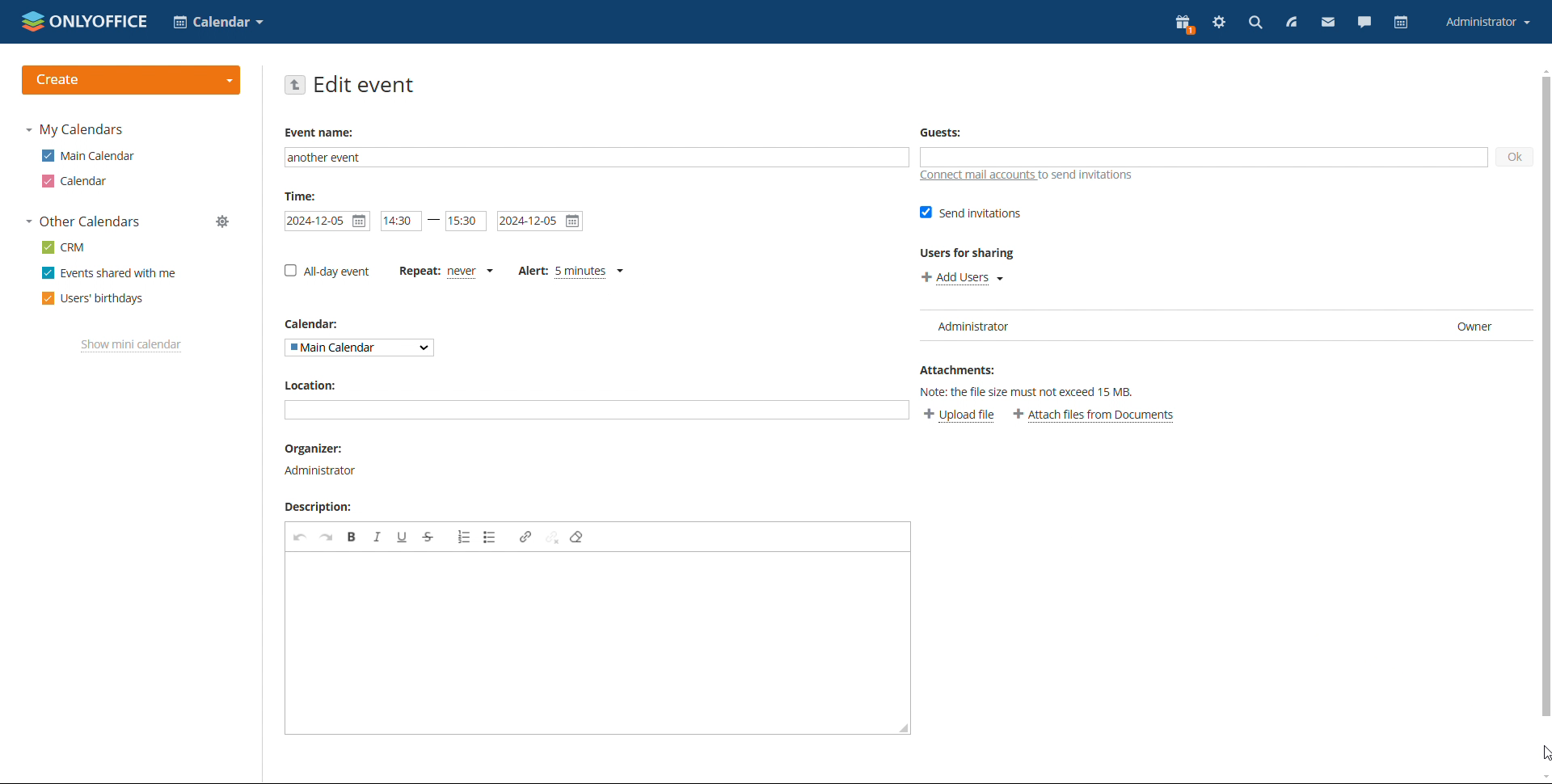 This screenshot has width=1552, height=784. Describe the element at coordinates (132, 345) in the screenshot. I see `show mini calendar` at that location.